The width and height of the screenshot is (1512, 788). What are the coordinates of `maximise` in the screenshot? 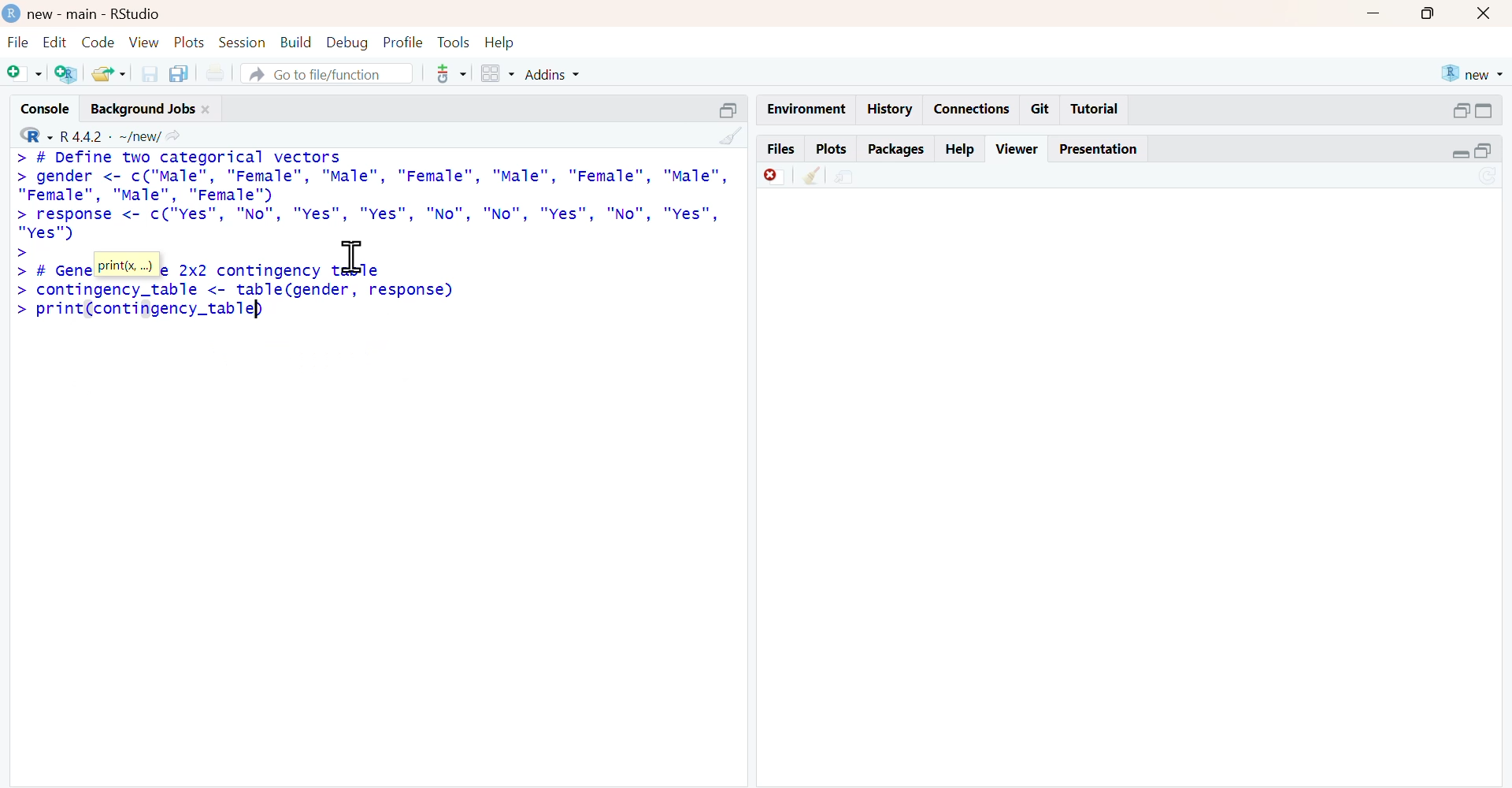 It's located at (1427, 15).